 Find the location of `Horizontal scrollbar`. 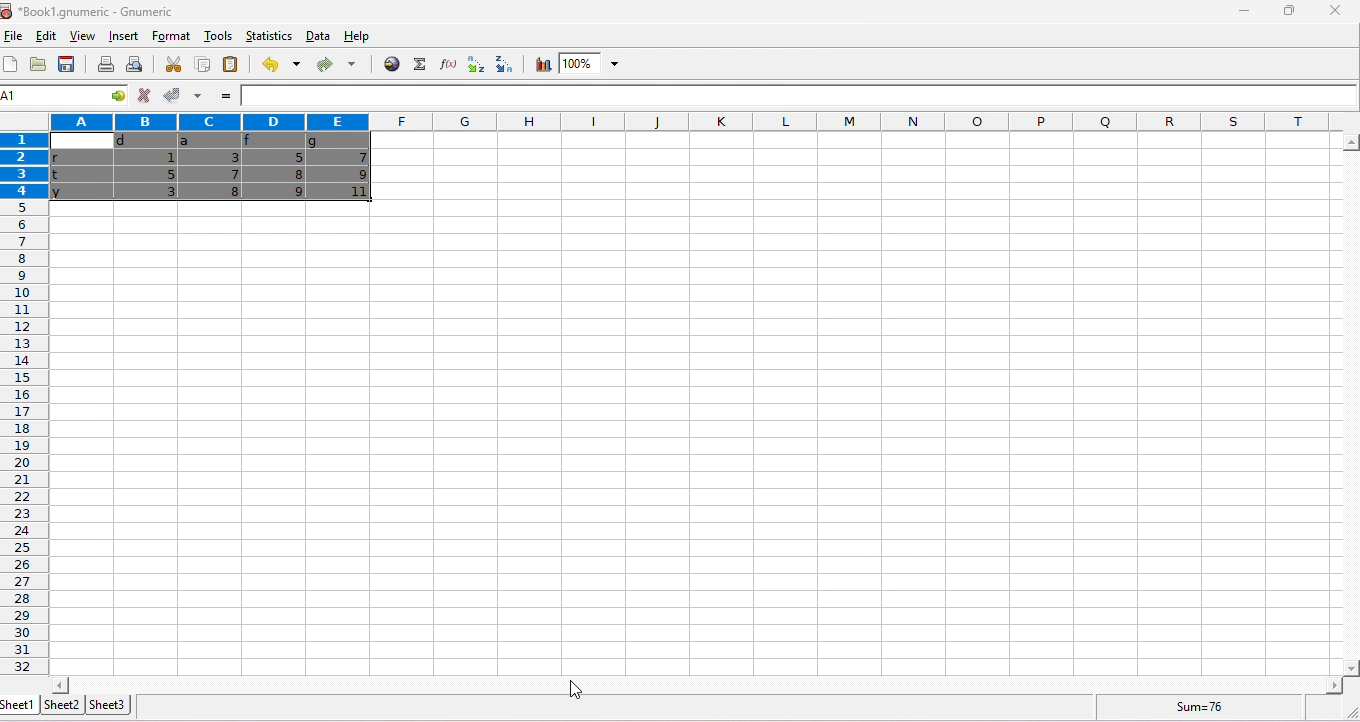

Horizontal scrollbar is located at coordinates (697, 684).